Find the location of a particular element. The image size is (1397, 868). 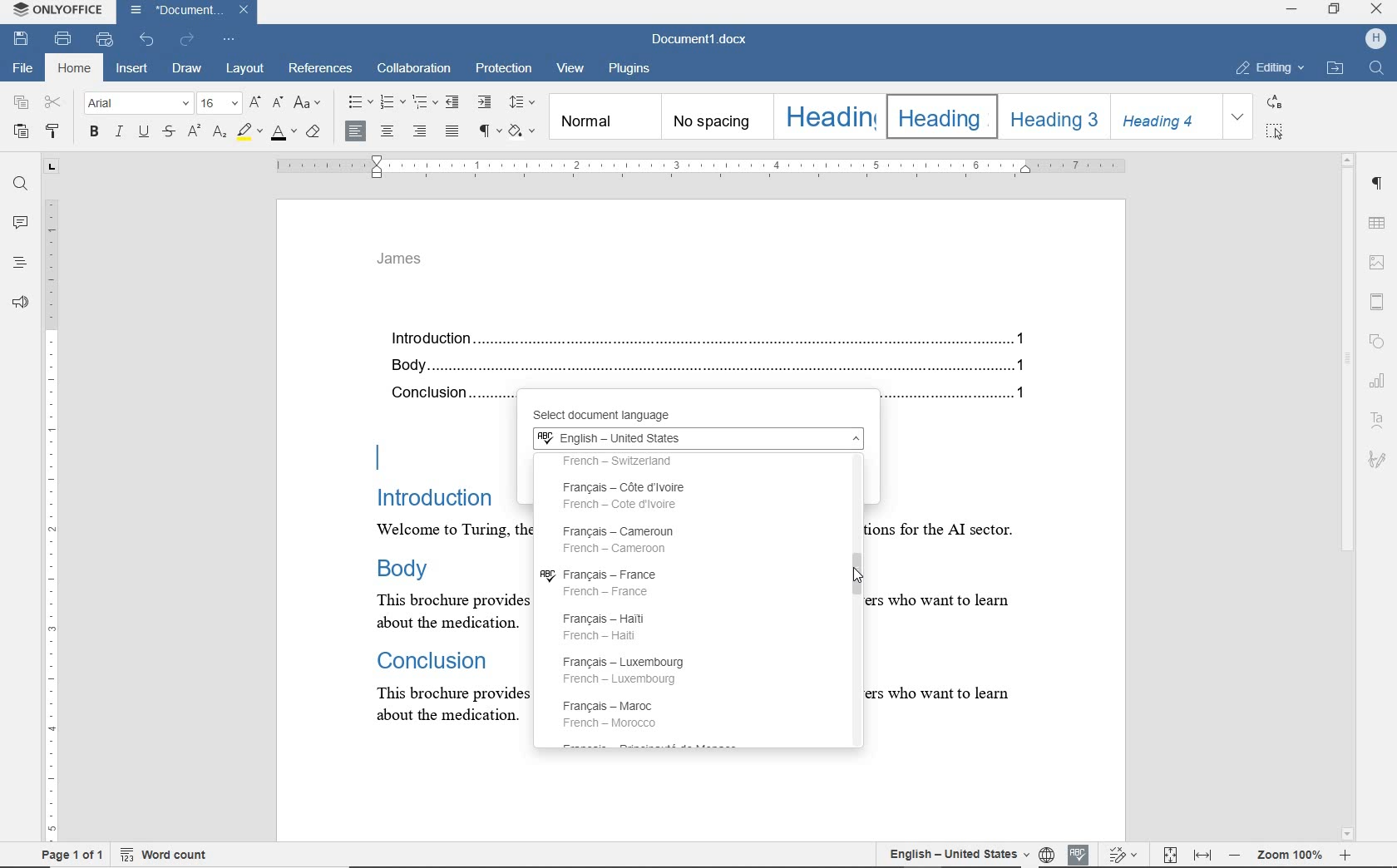

decrease indent is located at coordinates (454, 101).